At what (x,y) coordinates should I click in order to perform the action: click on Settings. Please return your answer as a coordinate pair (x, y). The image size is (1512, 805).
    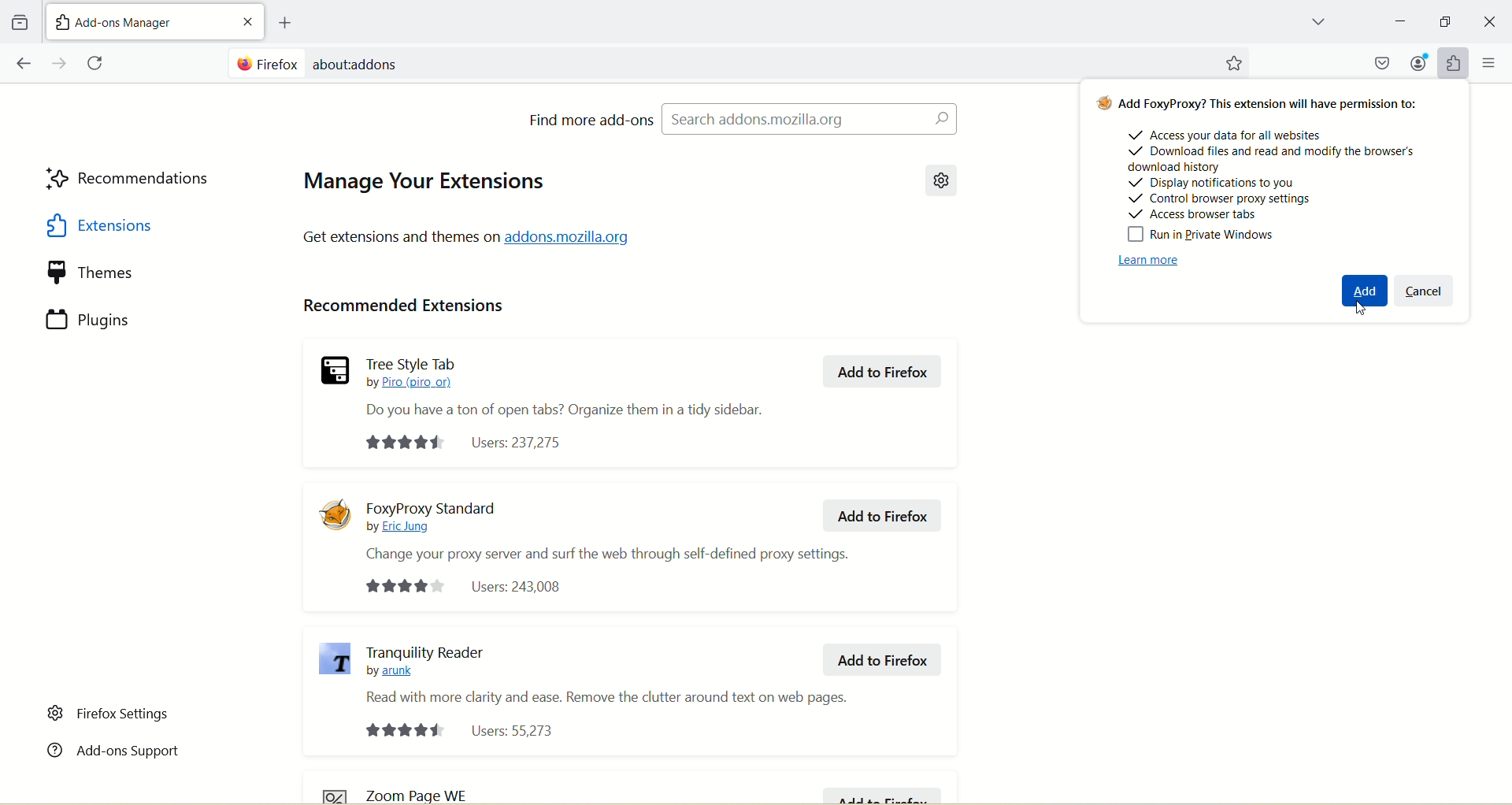
    Looking at the image, I should click on (943, 180).